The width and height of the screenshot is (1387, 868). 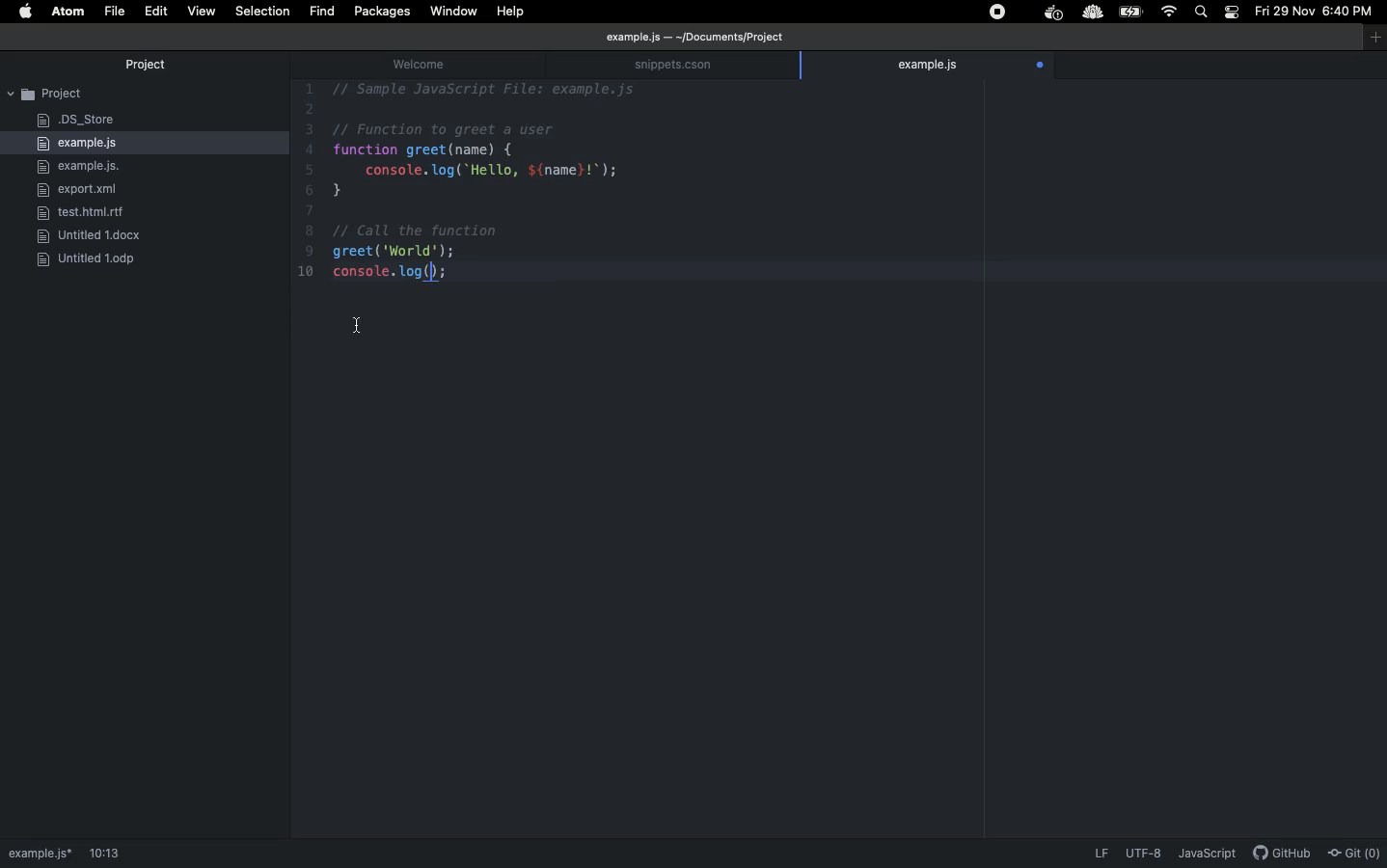 I want to click on Project, so click(x=146, y=65).